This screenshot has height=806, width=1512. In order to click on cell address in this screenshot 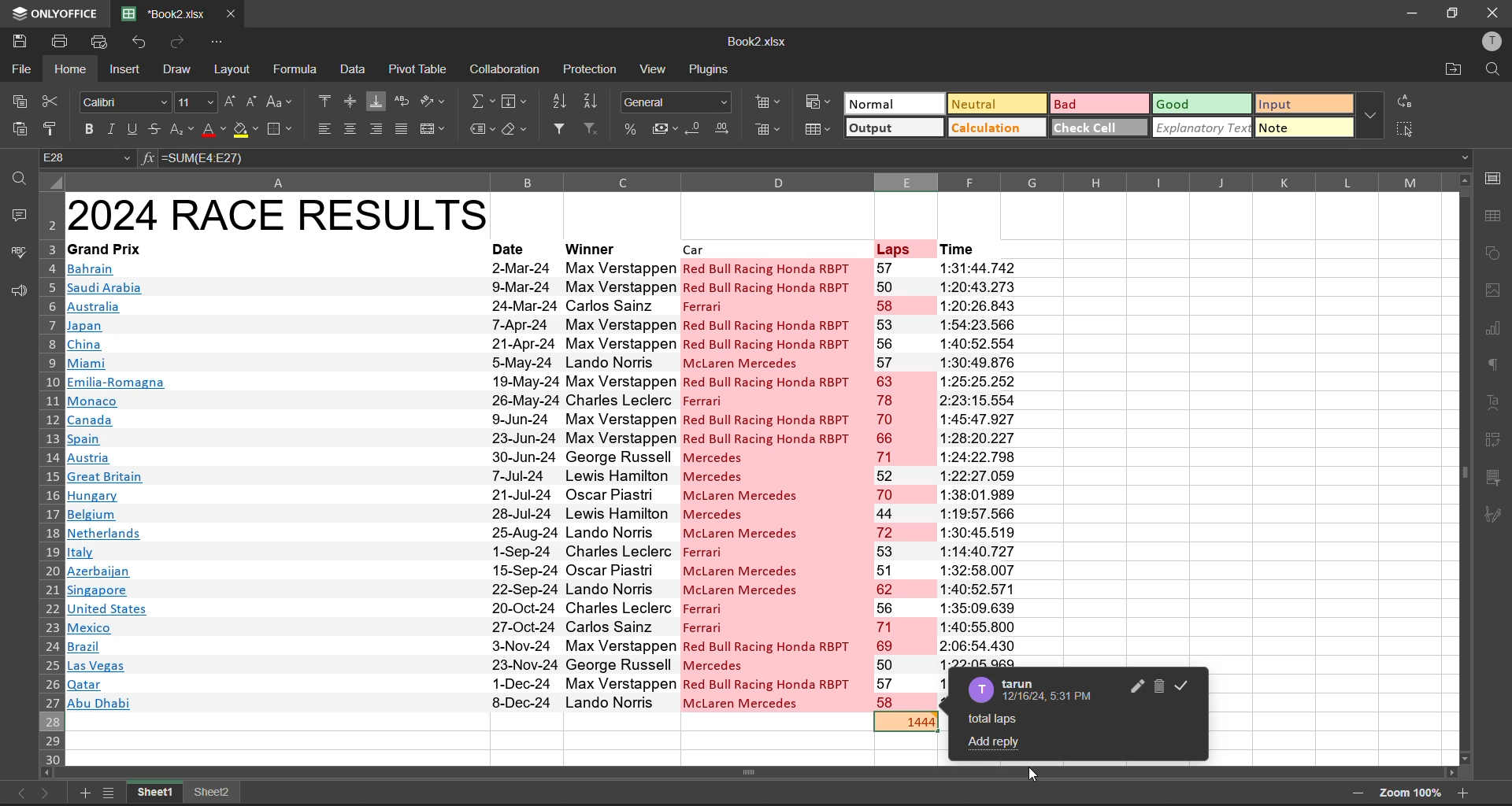, I will do `click(86, 157)`.